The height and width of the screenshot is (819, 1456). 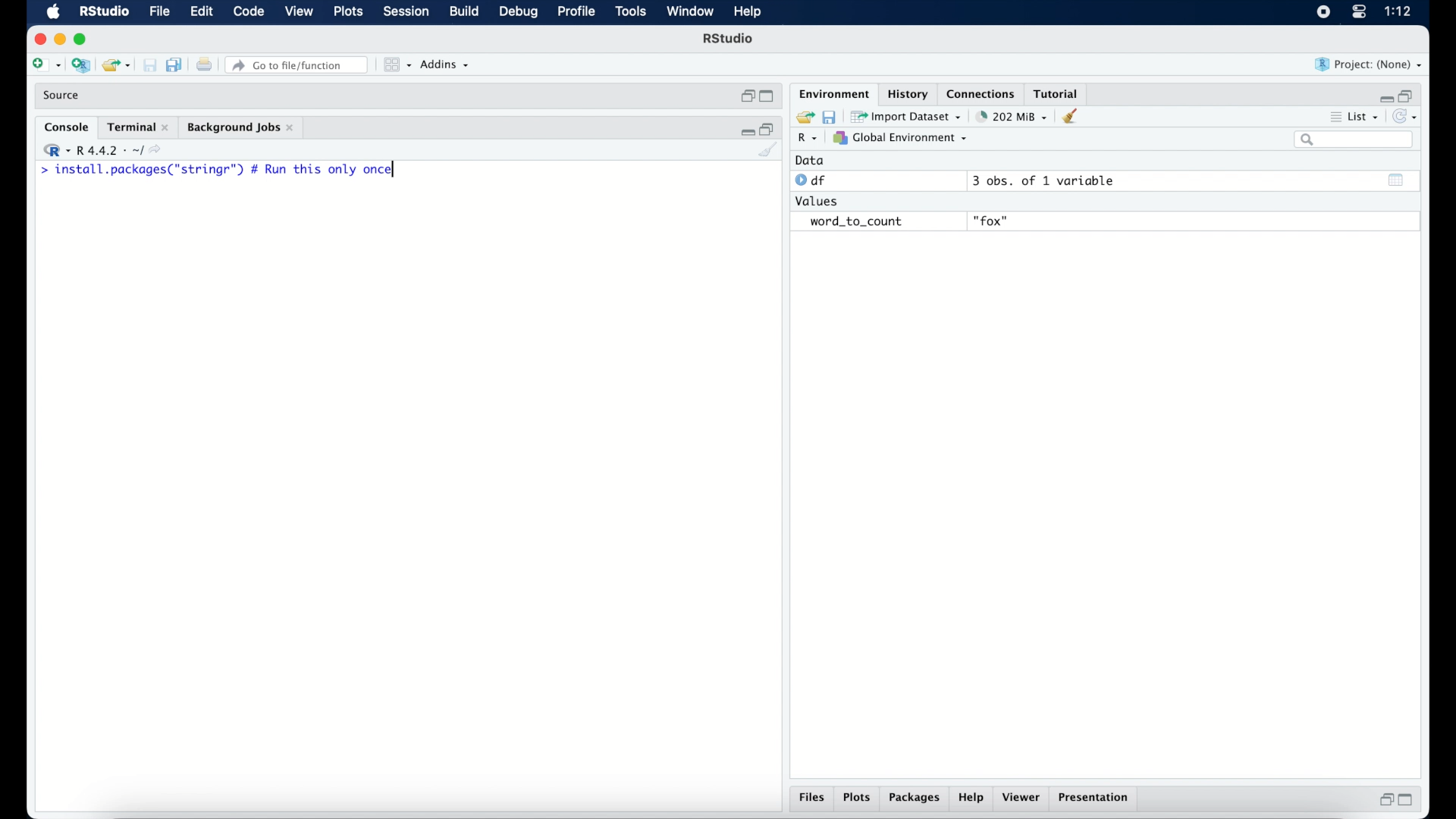 What do you see at coordinates (857, 799) in the screenshot?
I see `plots` at bounding box center [857, 799].